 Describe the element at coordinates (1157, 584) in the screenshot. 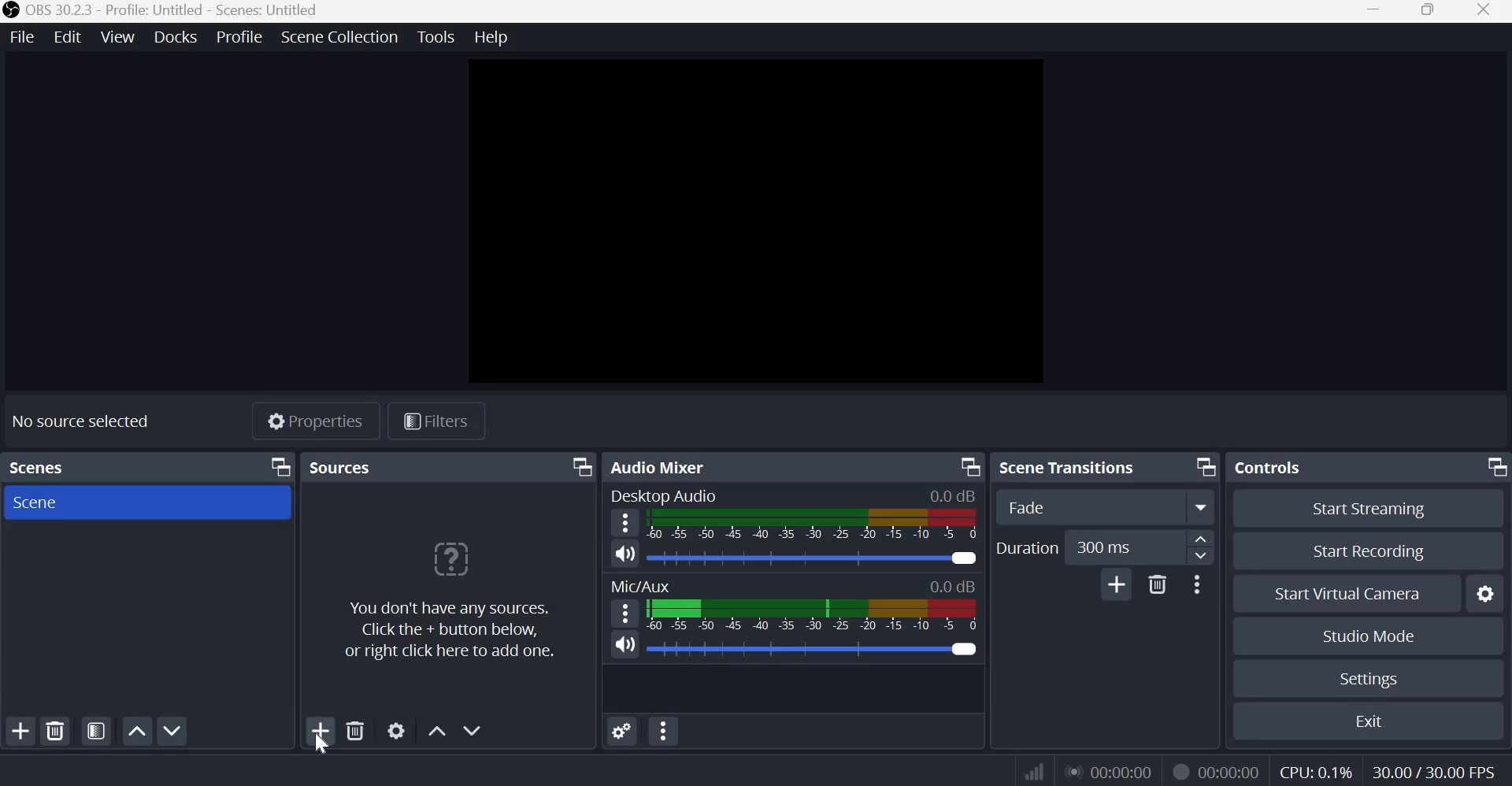

I see `Delete Transition` at that location.